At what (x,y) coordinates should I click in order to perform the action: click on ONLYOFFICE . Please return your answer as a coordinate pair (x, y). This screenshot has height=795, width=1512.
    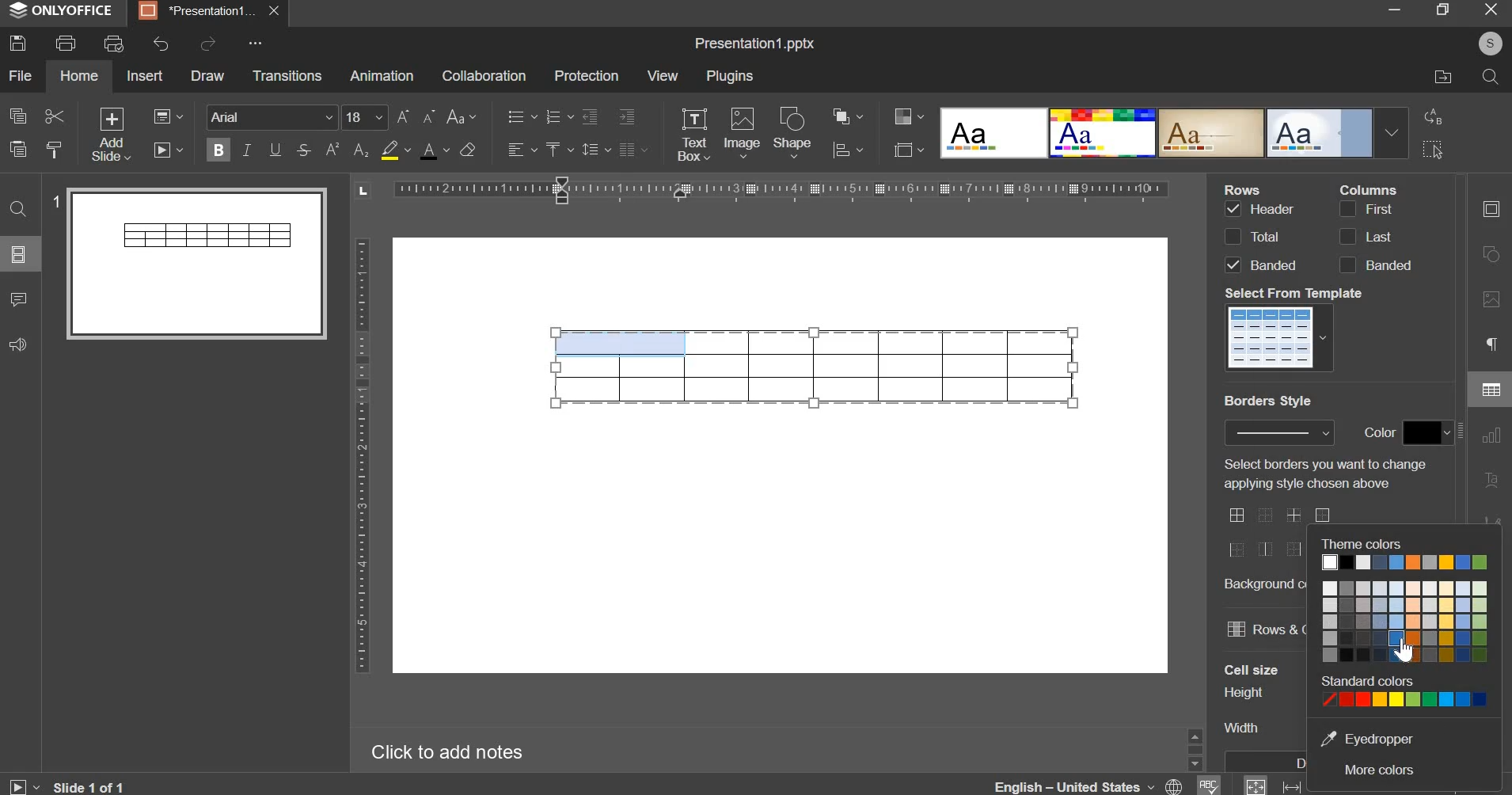
    Looking at the image, I should click on (64, 11).